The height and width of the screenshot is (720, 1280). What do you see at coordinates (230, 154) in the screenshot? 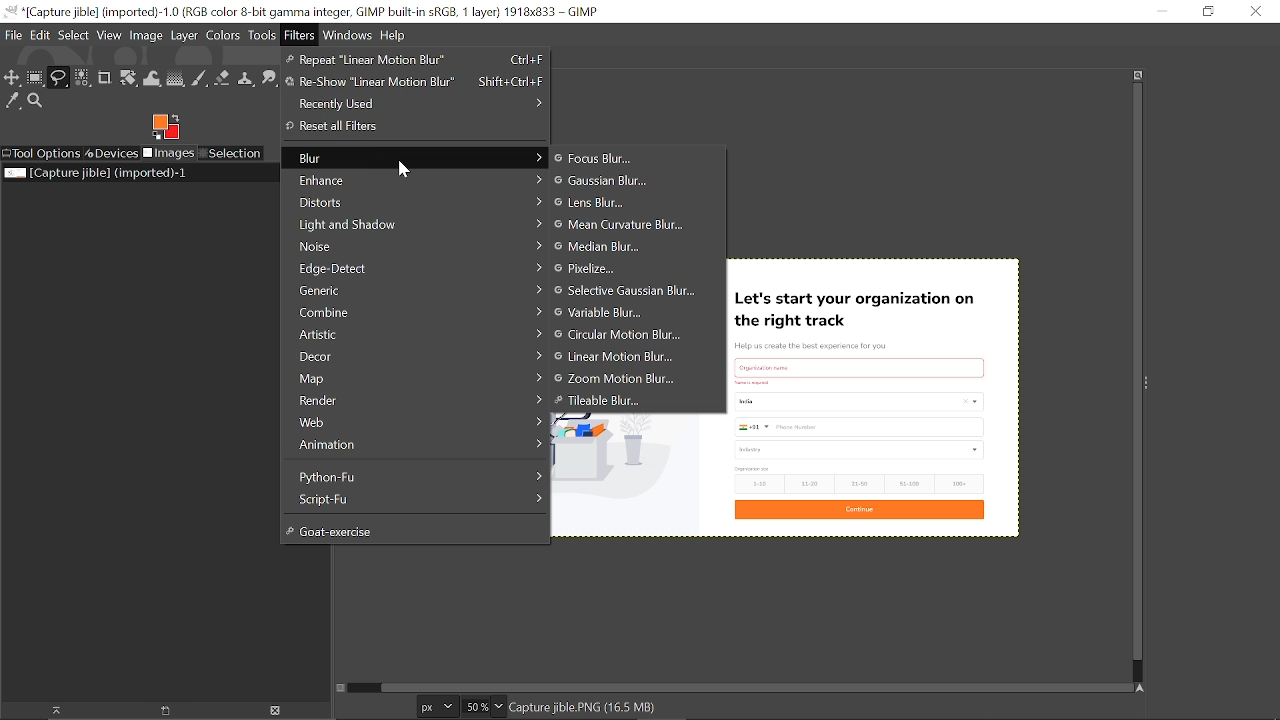
I see `Selection` at bounding box center [230, 154].